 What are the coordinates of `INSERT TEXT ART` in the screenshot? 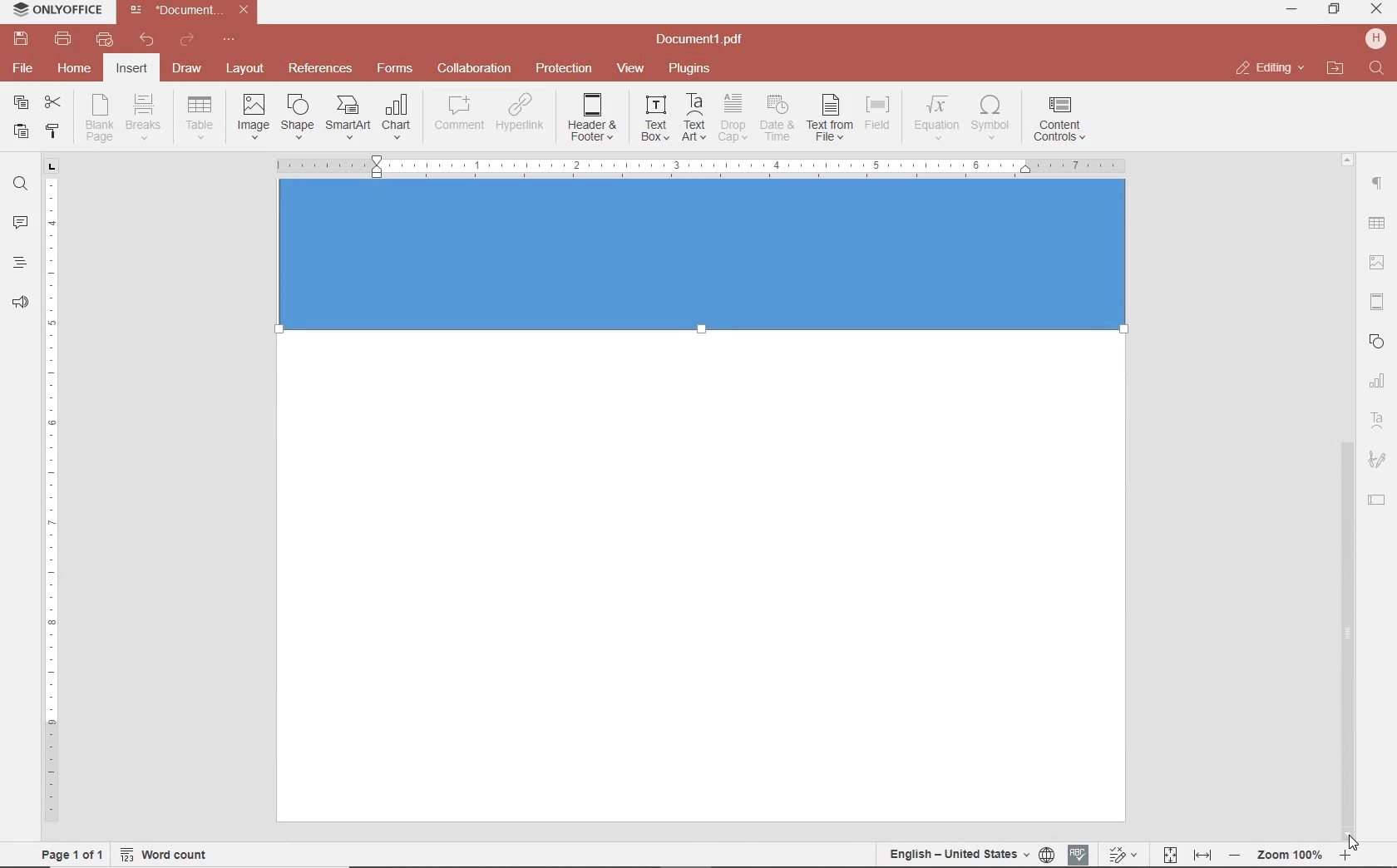 It's located at (694, 118).